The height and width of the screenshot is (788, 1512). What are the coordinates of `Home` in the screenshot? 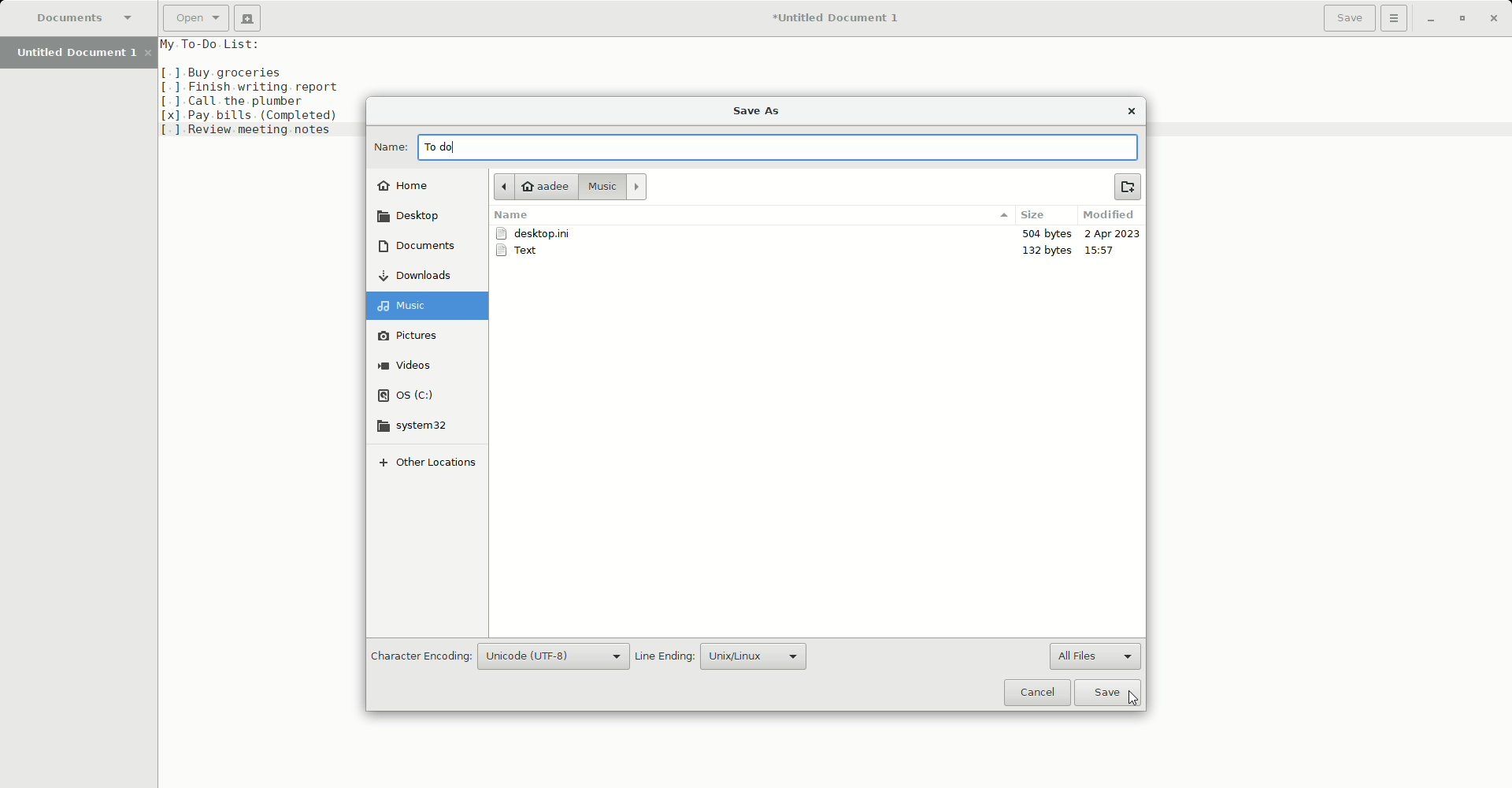 It's located at (410, 184).